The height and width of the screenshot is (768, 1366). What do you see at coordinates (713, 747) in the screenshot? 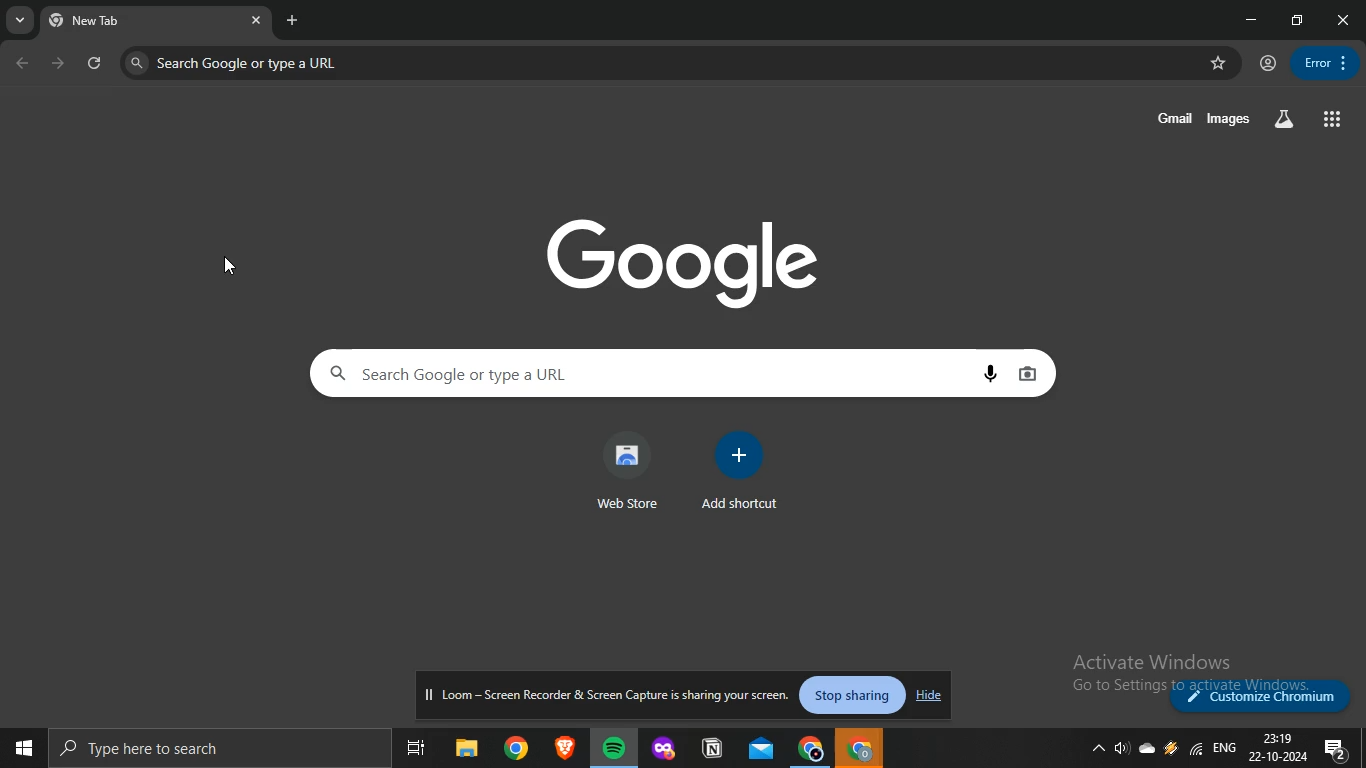
I see `notion` at bounding box center [713, 747].